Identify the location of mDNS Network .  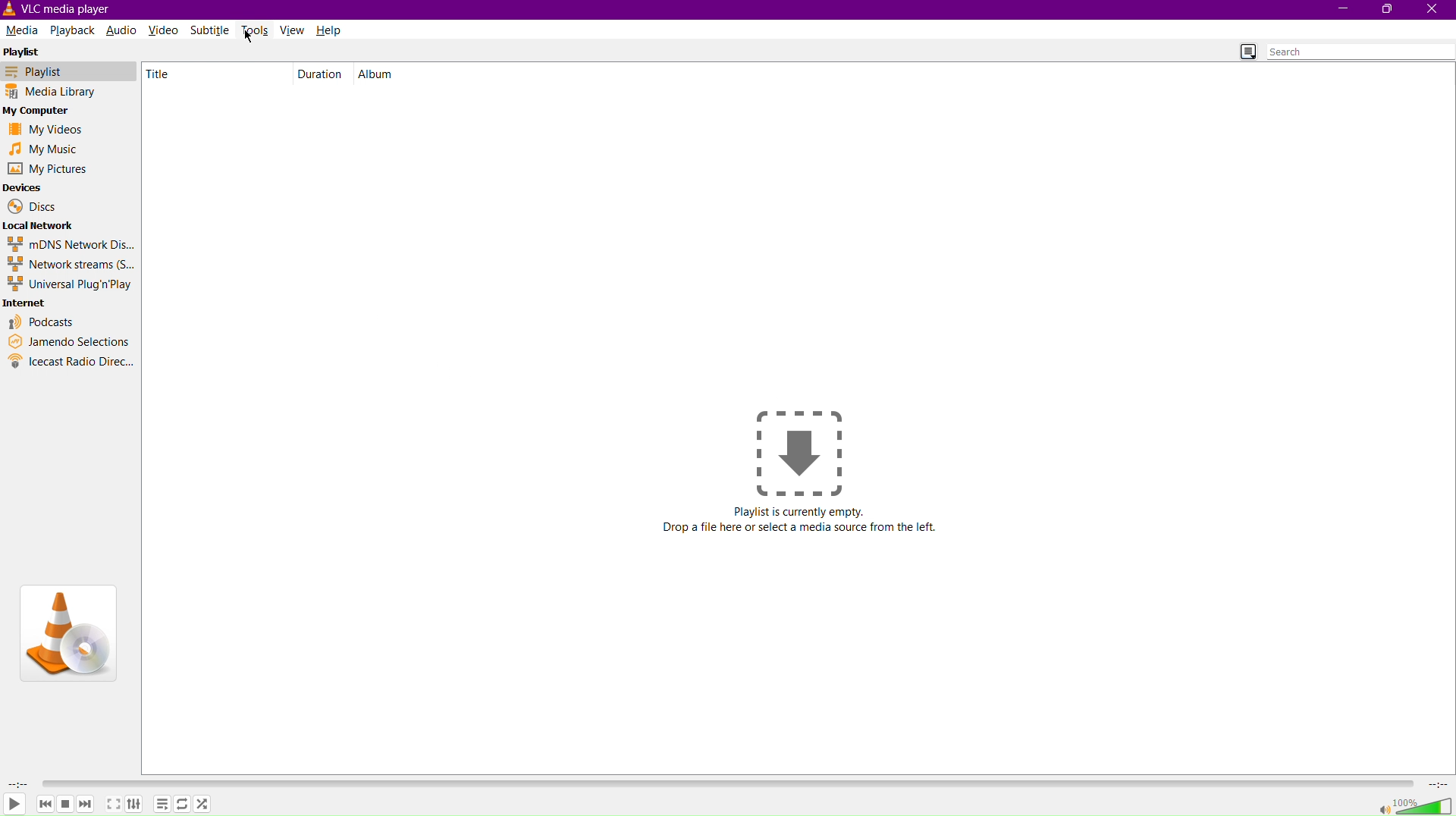
(72, 245).